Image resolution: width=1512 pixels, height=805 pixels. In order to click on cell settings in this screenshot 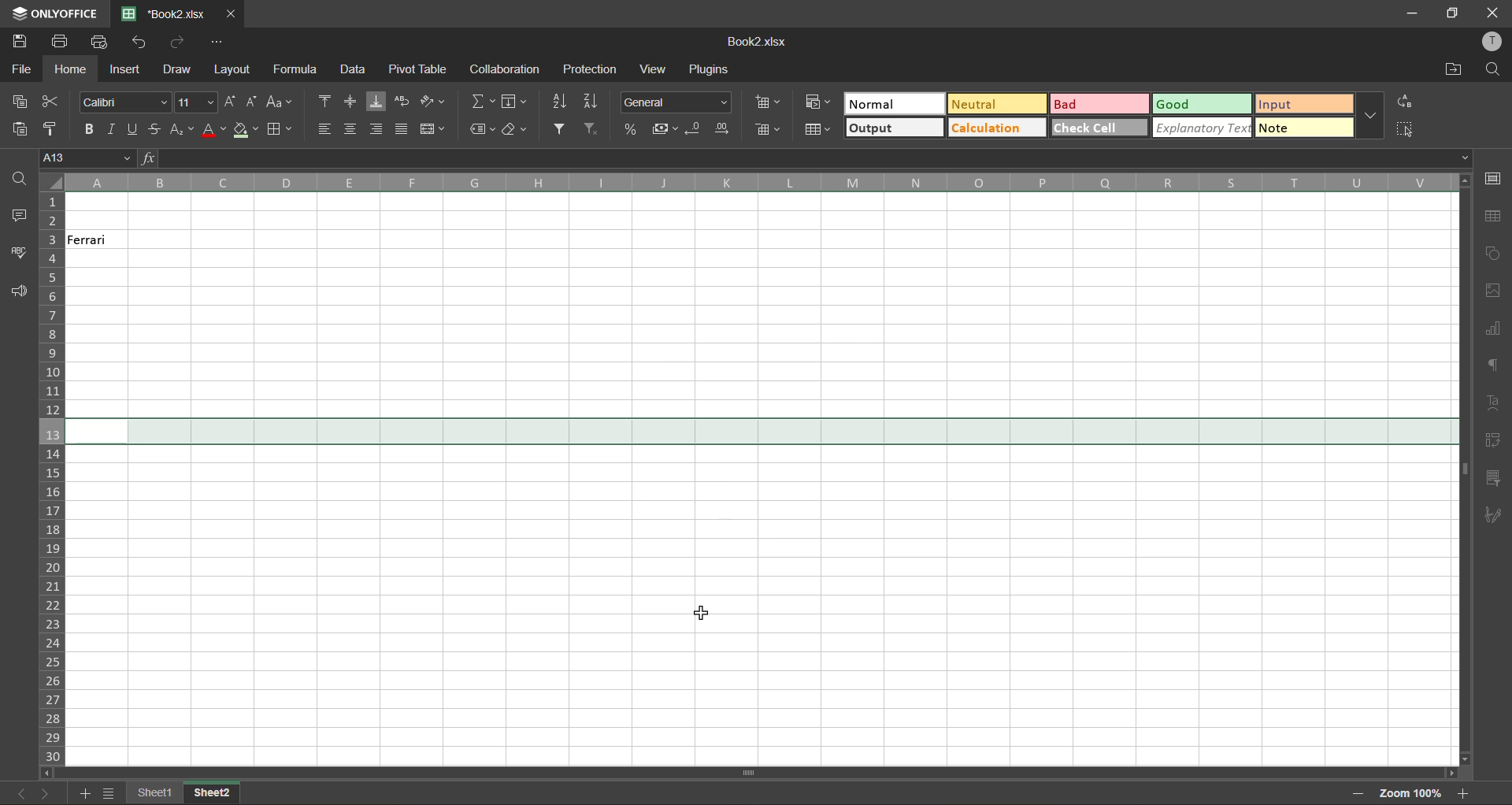, I will do `click(1494, 177)`.